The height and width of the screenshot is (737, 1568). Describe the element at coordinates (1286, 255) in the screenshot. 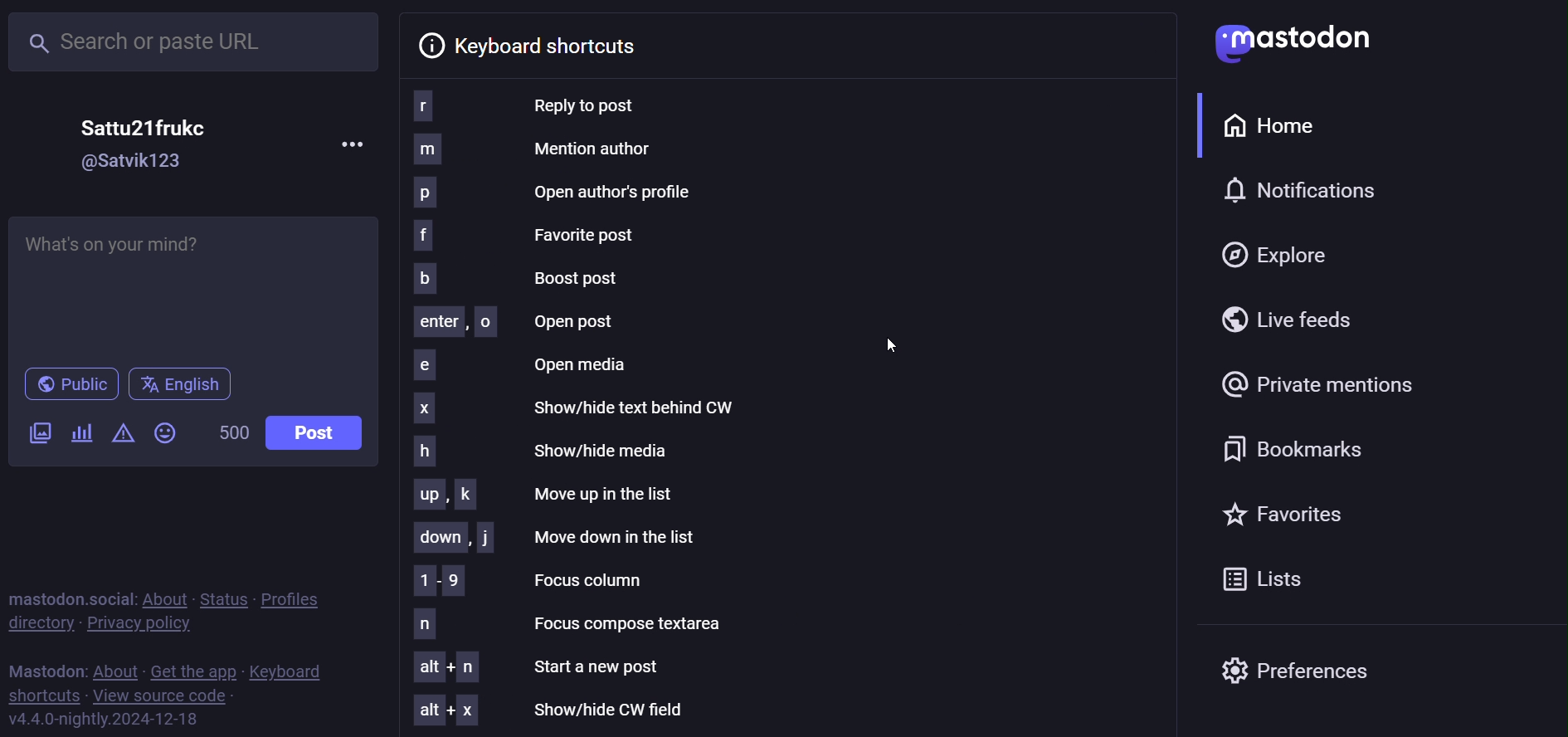

I see `explore` at that location.